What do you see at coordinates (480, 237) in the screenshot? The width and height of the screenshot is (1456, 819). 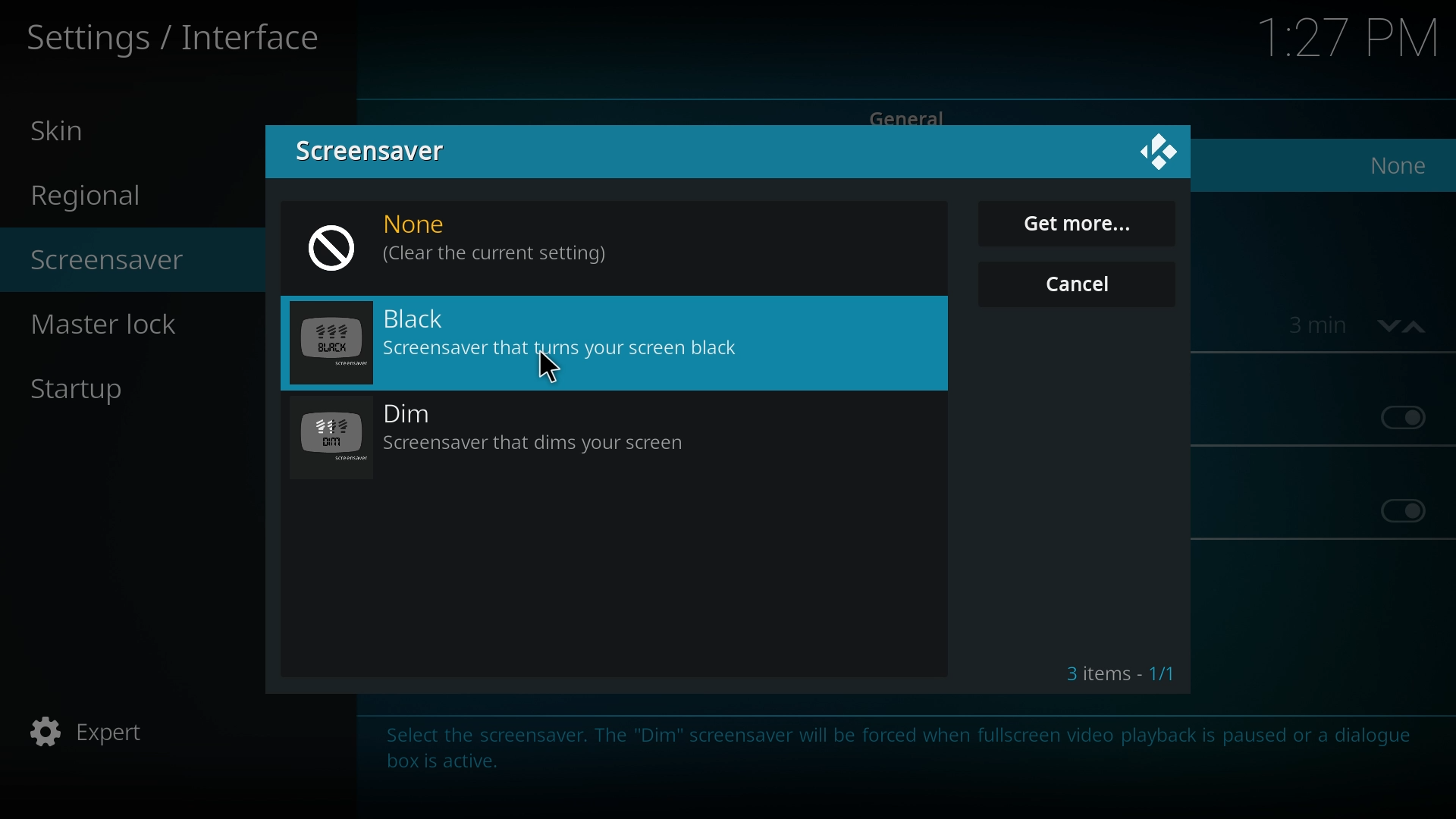 I see `none` at bounding box center [480, 237].